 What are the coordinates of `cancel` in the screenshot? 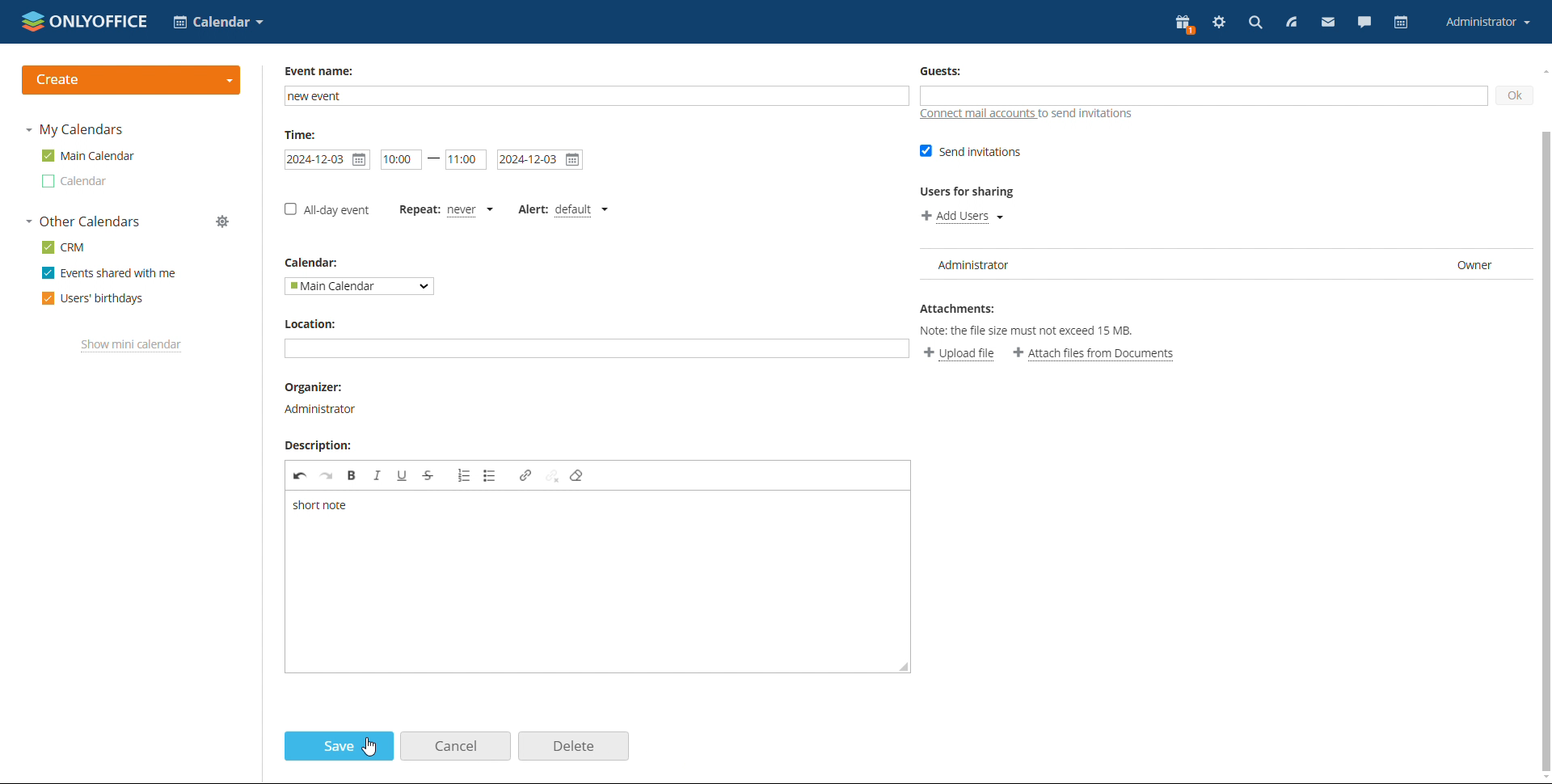 It's located at (455, 746).